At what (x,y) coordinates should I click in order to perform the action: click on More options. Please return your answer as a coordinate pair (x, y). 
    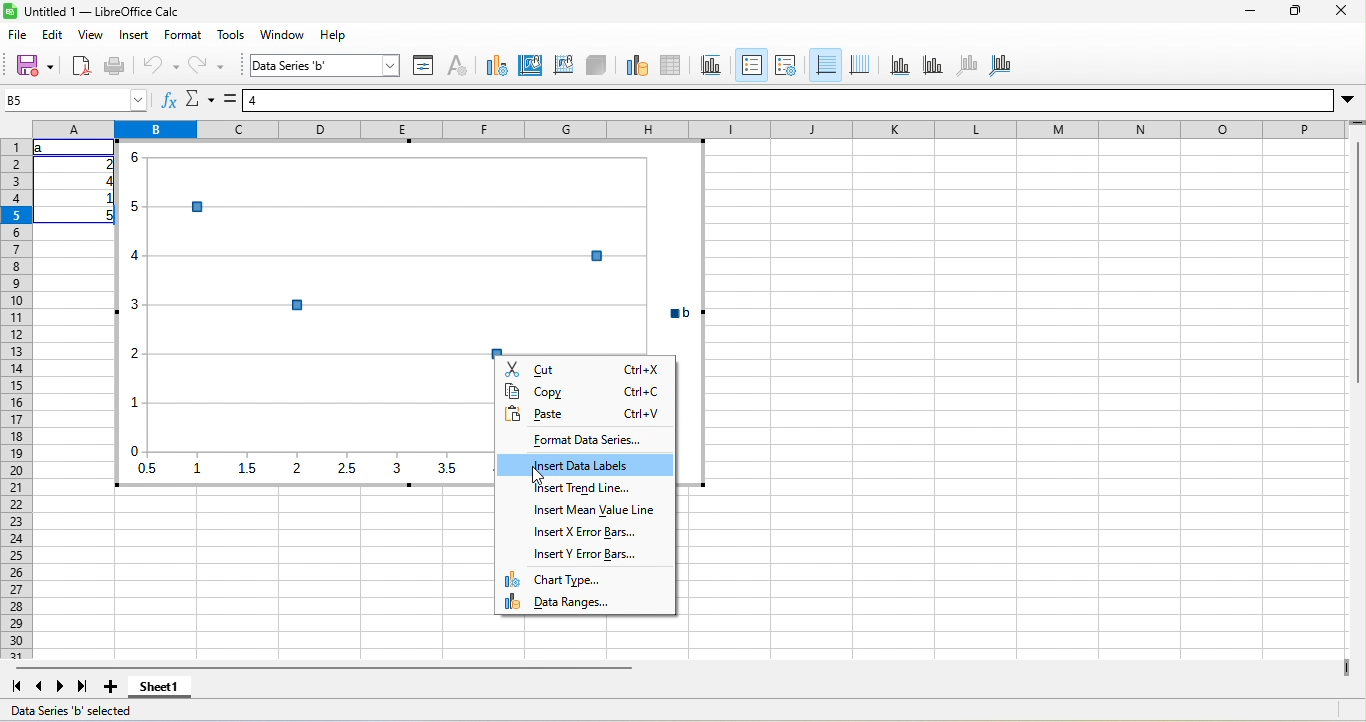
    Looking at the image, I should click on (1348, 101).